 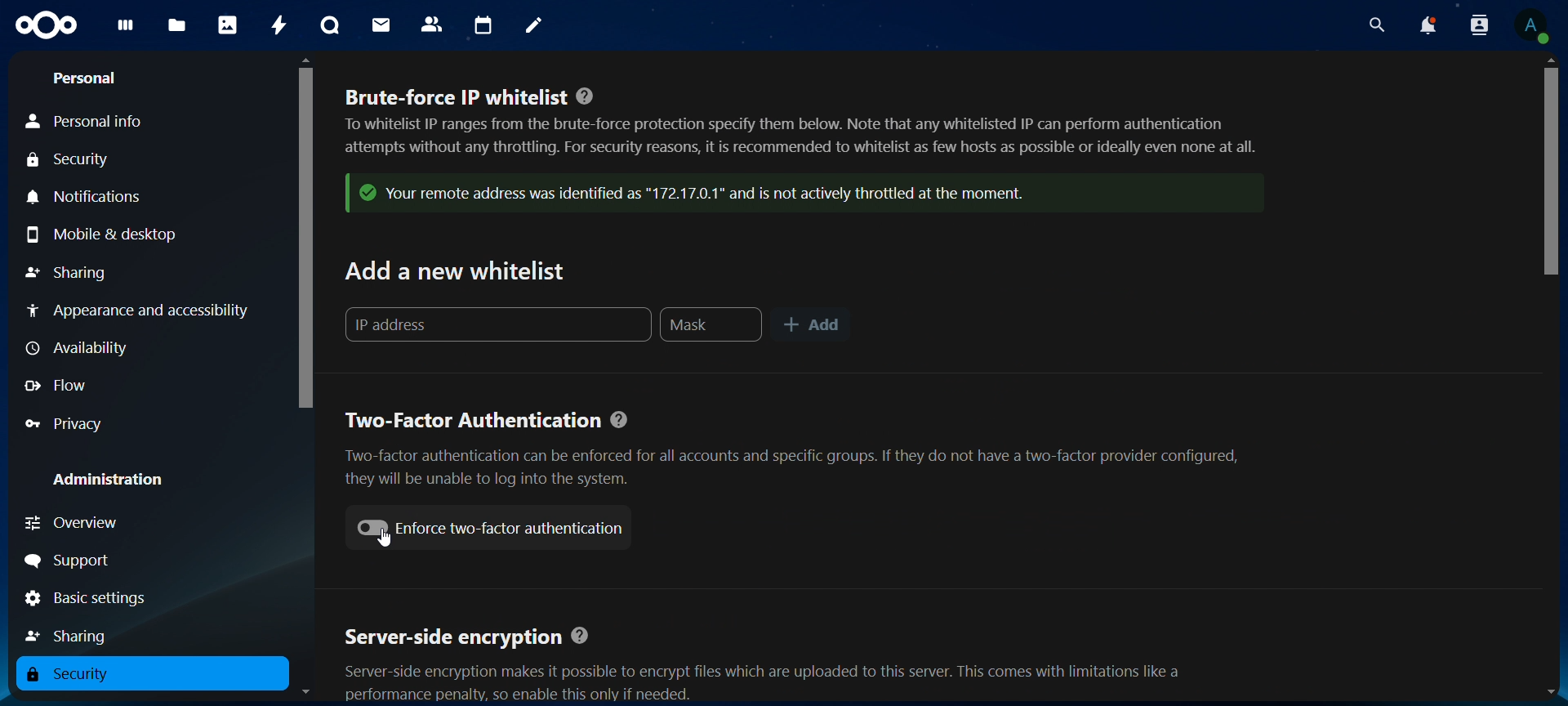 What do you see at coordinates (1475, 26) in the screenshot?
I see `search contacts` at bounding box center [1475, 26].